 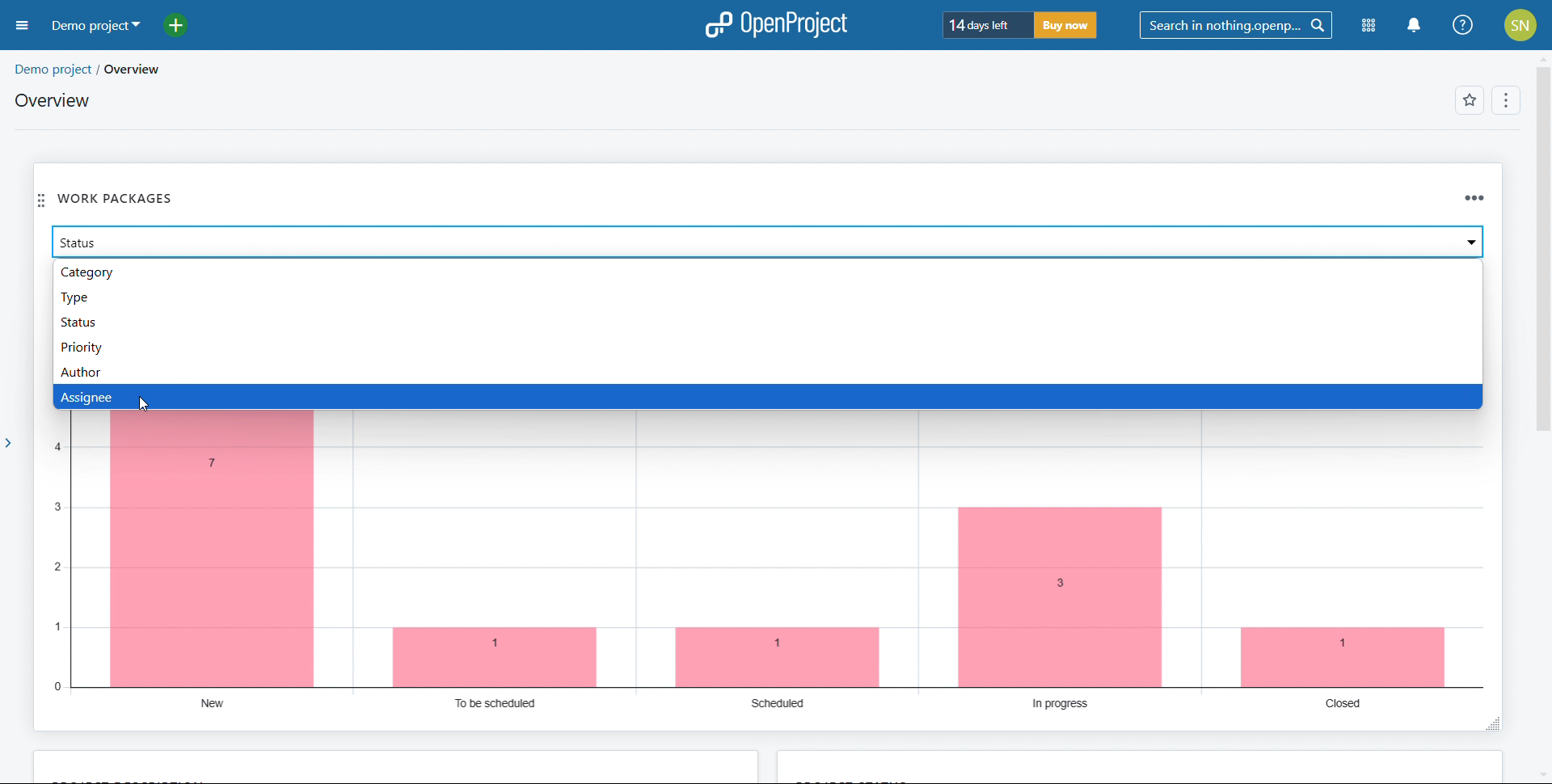 I want to click on category, so click(x=769, y=272).